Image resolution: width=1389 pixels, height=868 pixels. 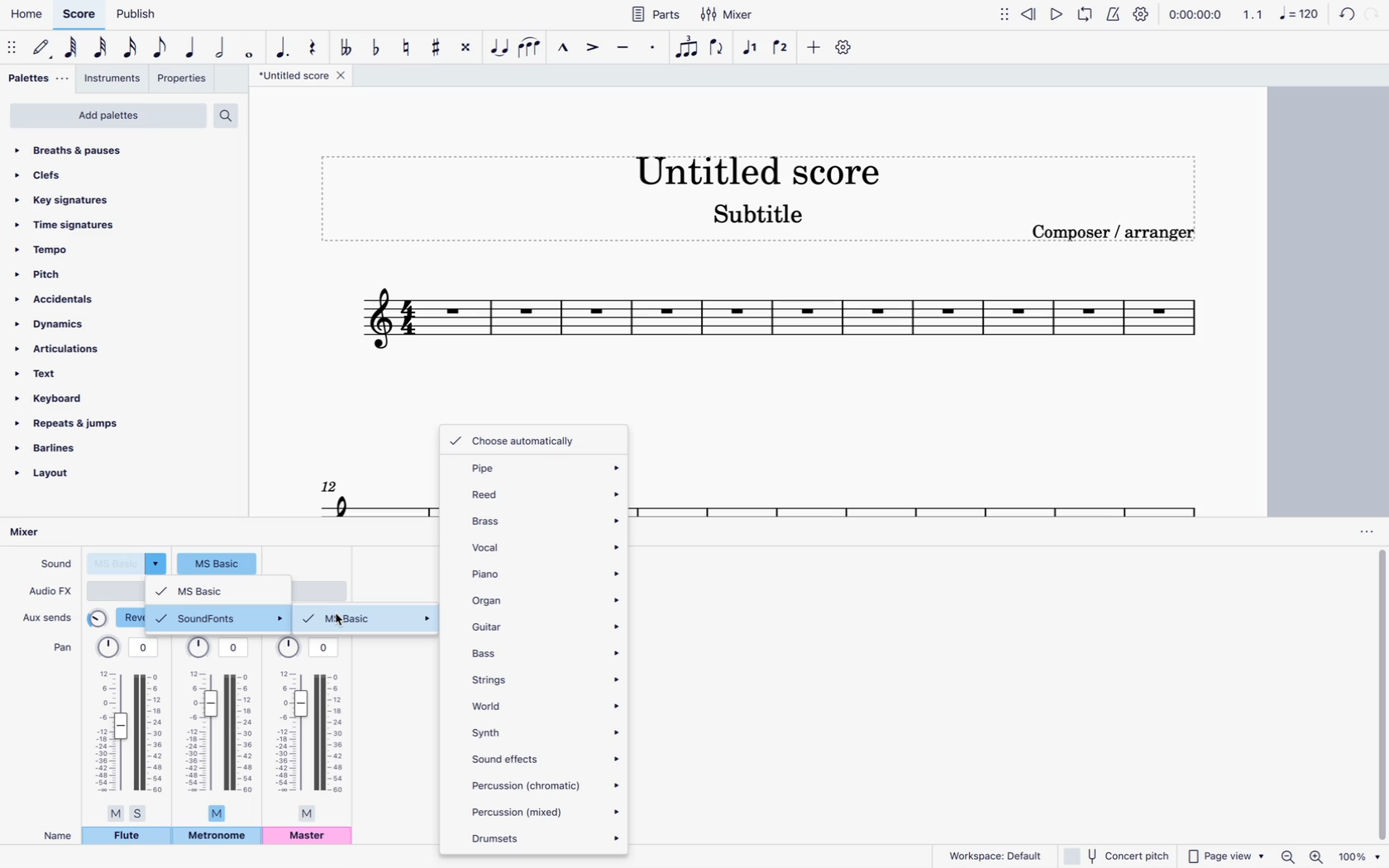 I want to click on 64th note, so click(x=73, y=48).